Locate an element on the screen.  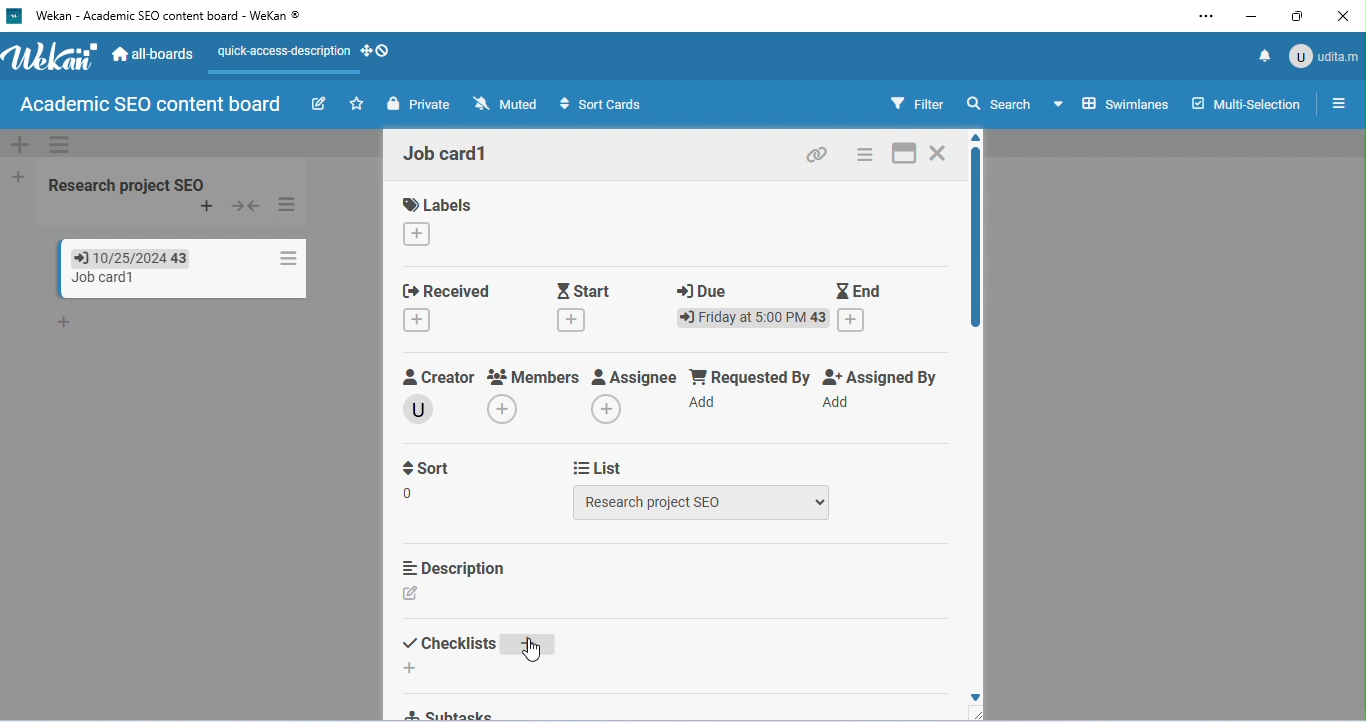
requested by is located at coordinates (750, 376).